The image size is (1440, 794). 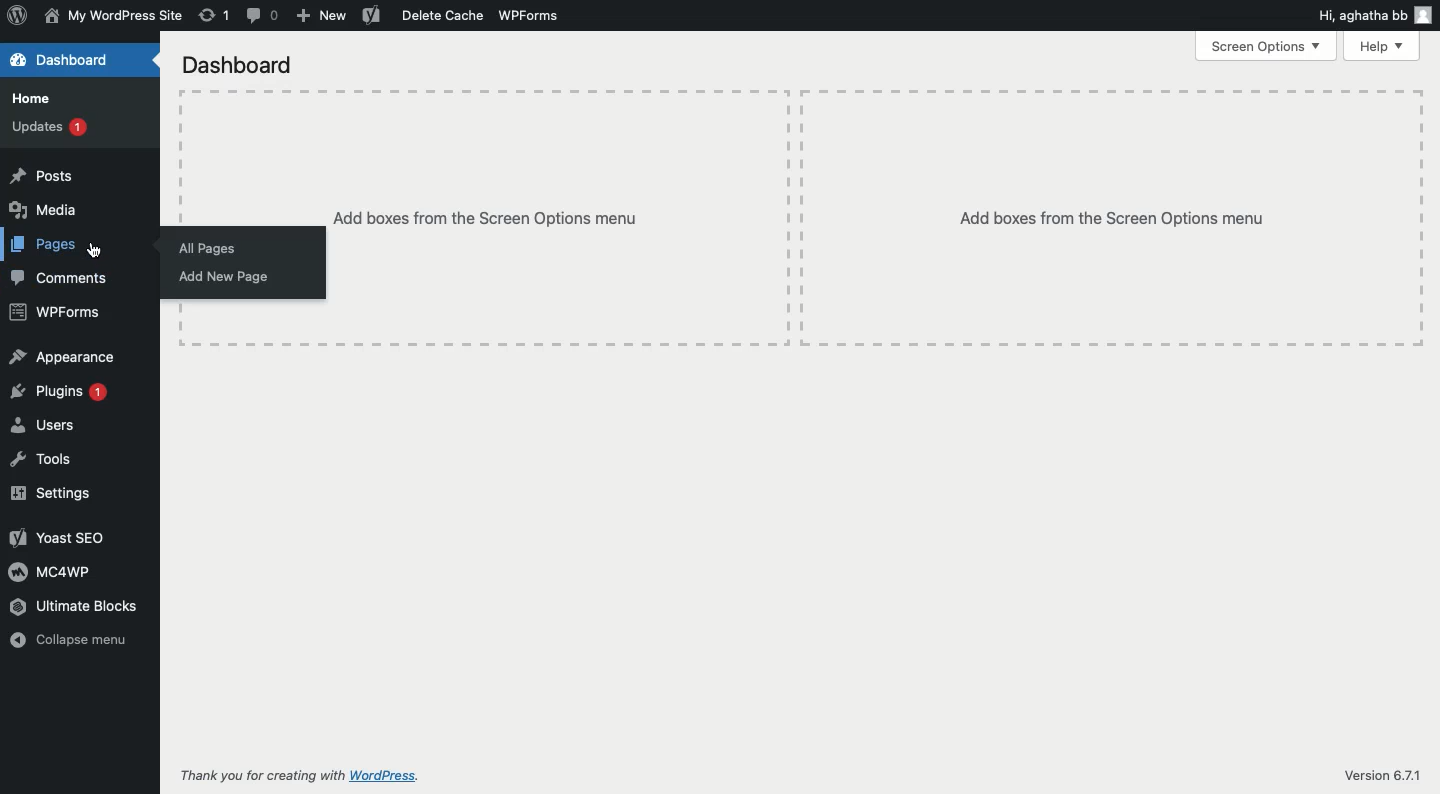 I want to click on Plugins, so click(x=58, y=394).